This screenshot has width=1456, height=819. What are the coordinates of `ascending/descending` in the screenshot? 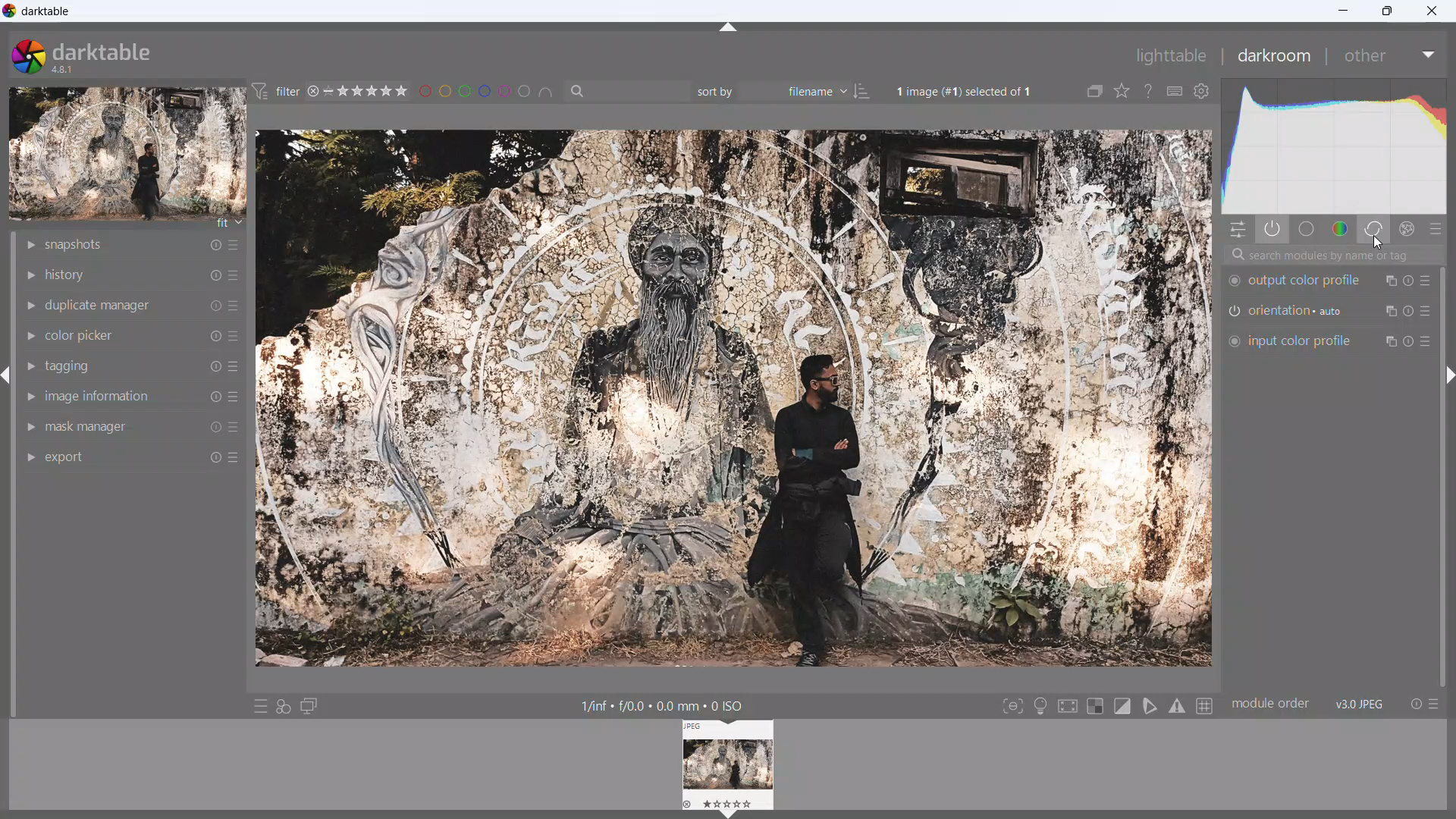 It's located at (863, 91).